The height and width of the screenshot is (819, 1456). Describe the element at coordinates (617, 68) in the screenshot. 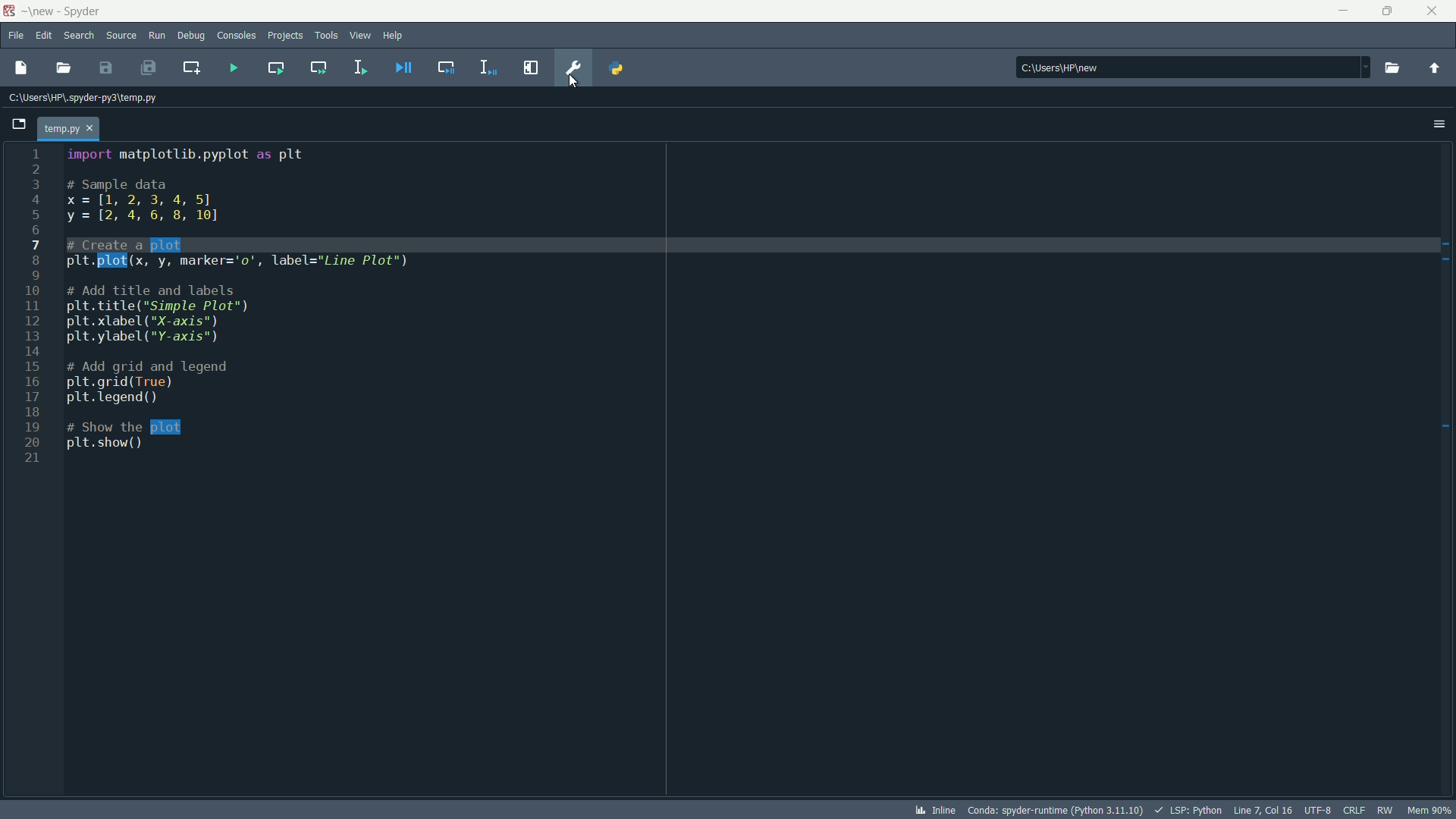

I see `python path manager` at that location.